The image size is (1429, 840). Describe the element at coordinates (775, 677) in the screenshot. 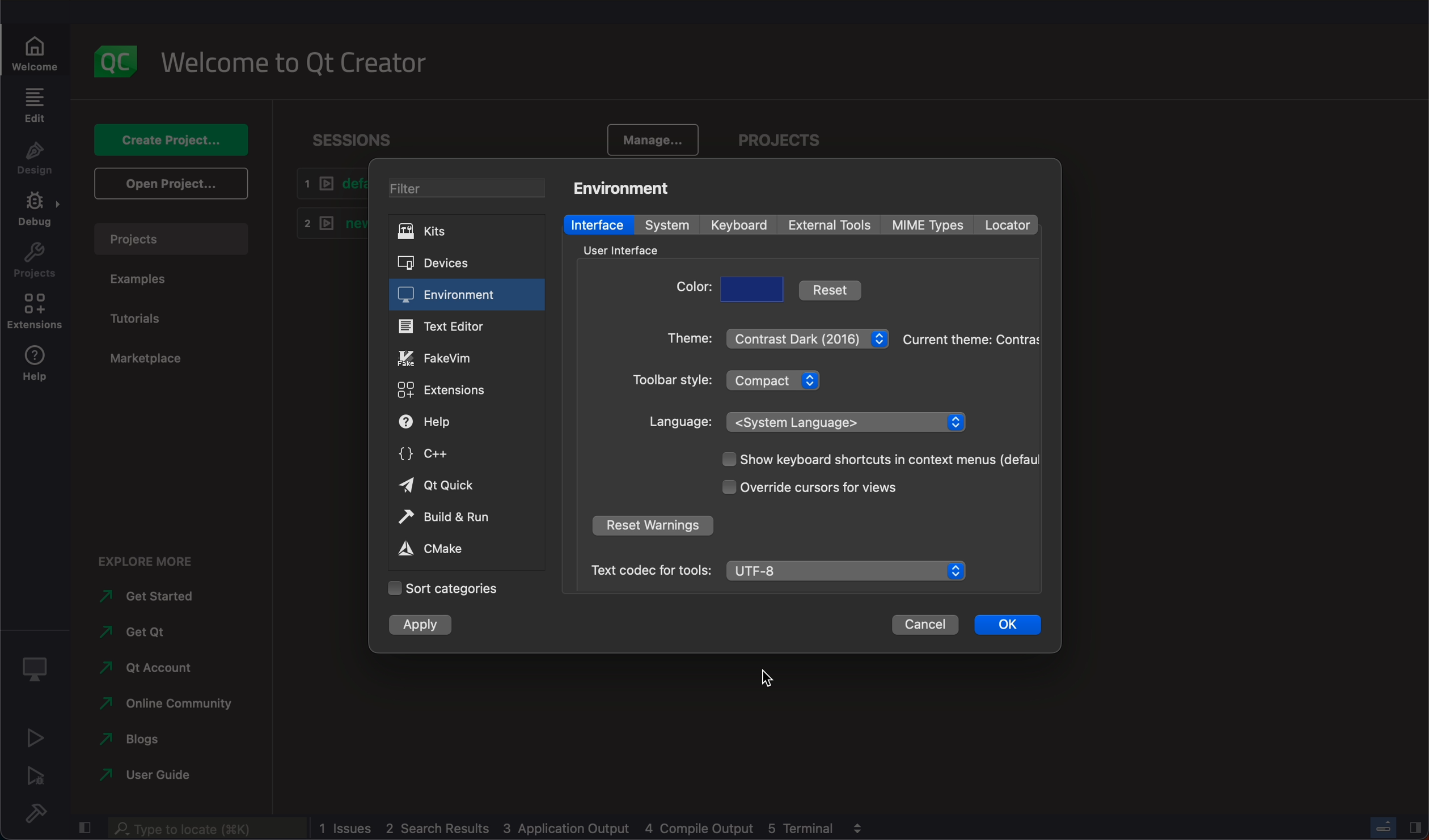

I see `cursor` at that location.